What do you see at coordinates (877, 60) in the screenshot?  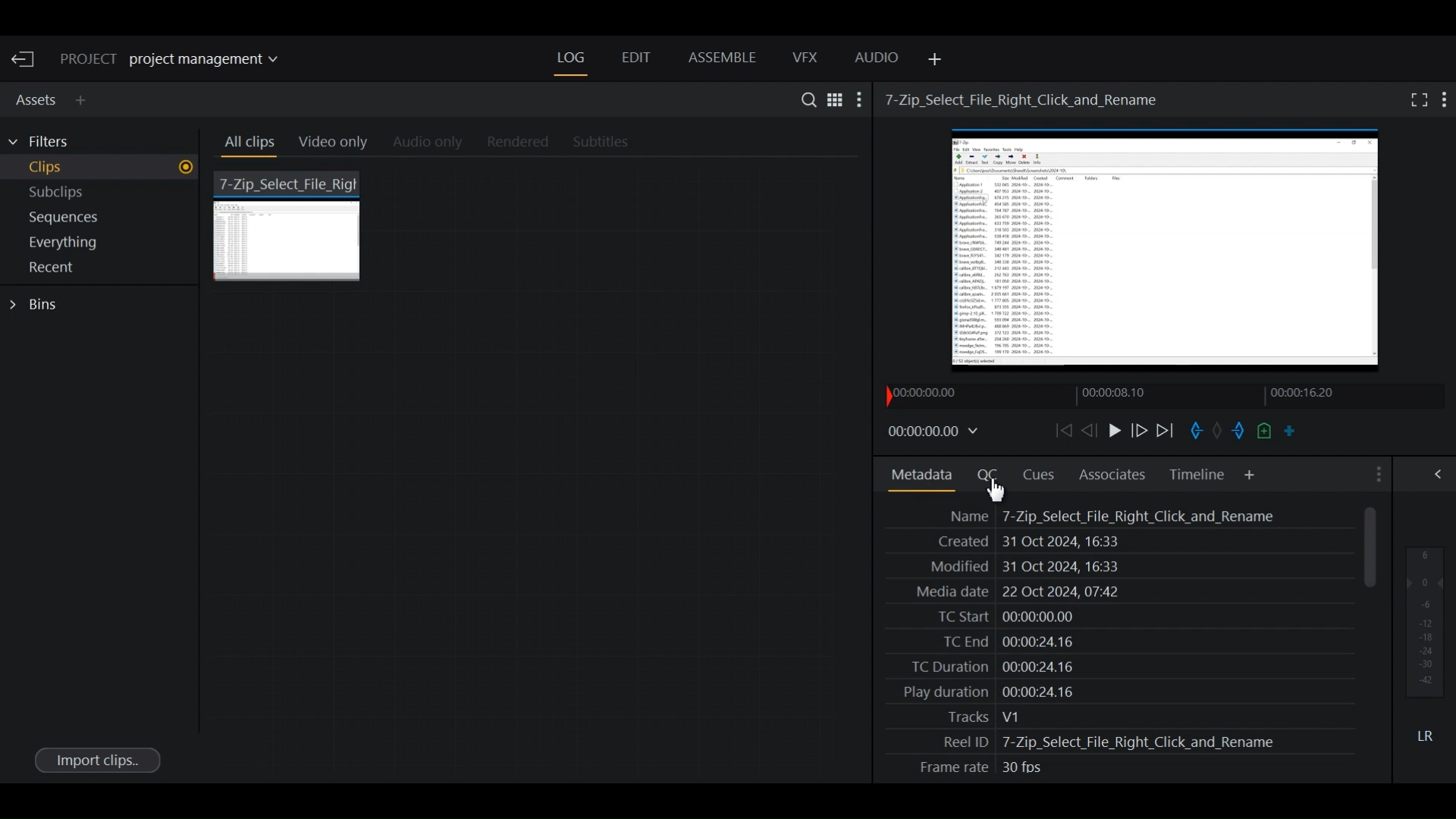 I see `Audio` at bounding box center [877, 60].